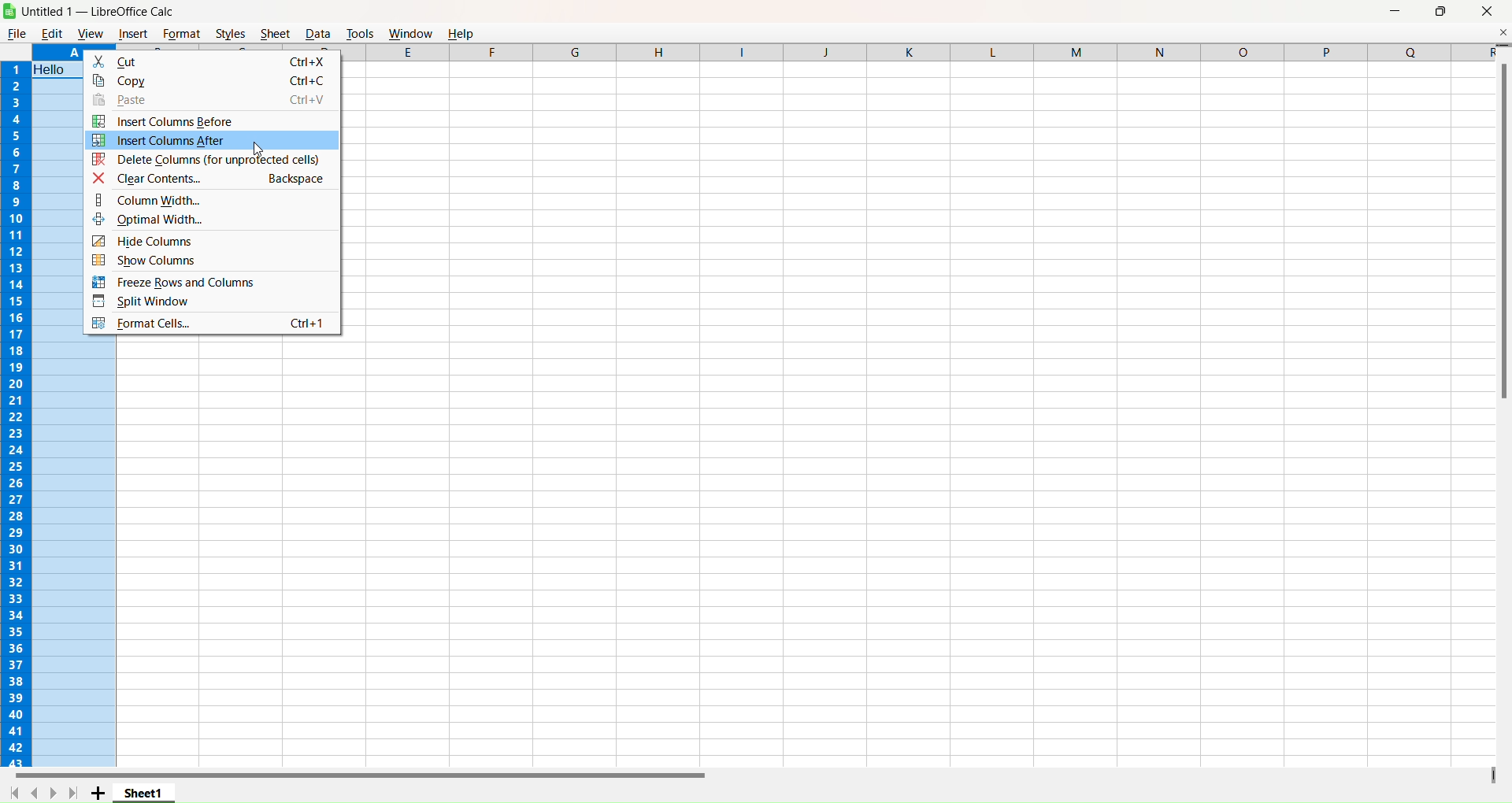 This screenshot has height=803, width=1512. What do you see at coordinates (34, 791) in the screenshot?
I see `Previous Slide` at bounding box center [34, 791].